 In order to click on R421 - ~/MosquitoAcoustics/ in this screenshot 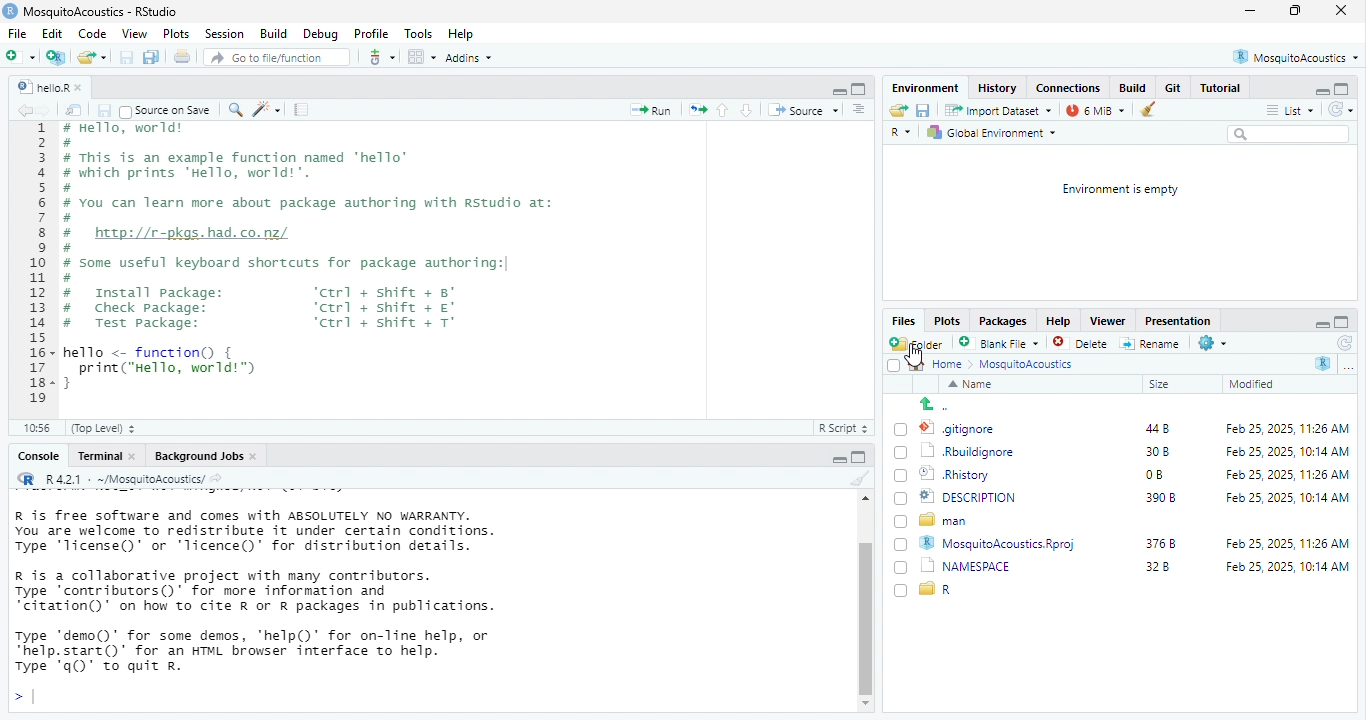, I will do `click(135, 478)`.